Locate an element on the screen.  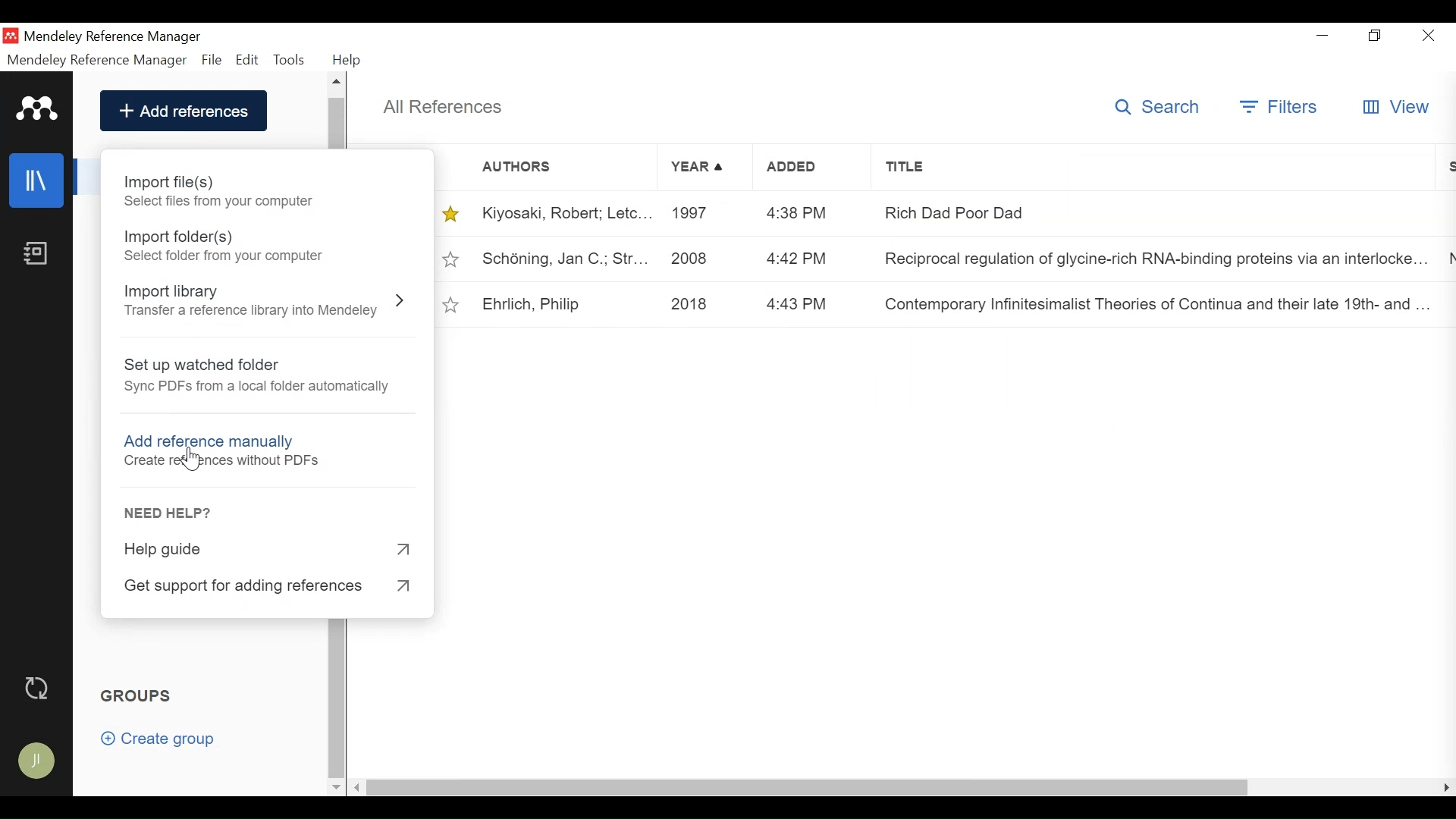
Get Support for adding references is located at coordinates (270, 588).